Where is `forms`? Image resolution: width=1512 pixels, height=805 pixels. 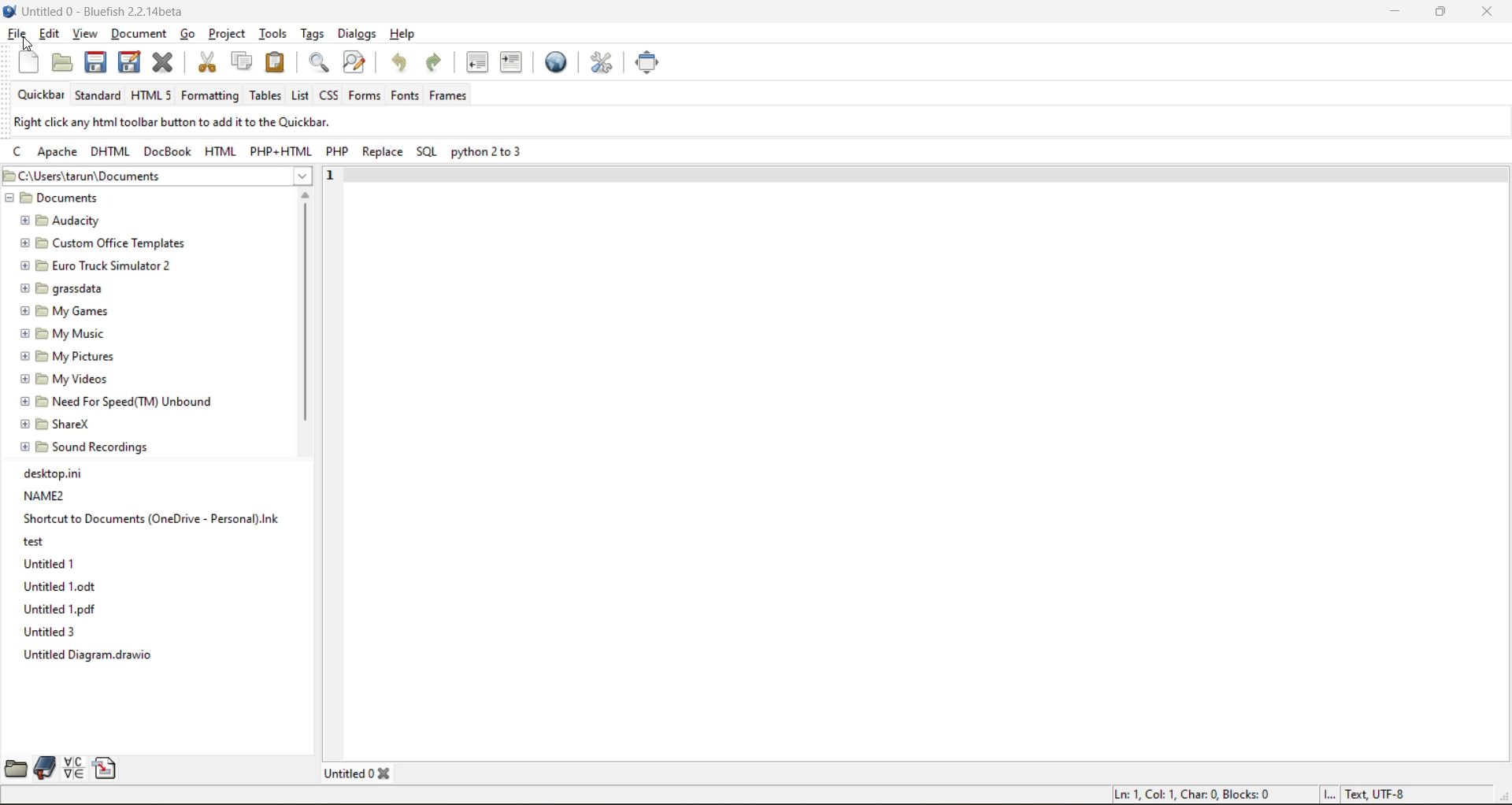
forms is located at coordinates (367, 96).